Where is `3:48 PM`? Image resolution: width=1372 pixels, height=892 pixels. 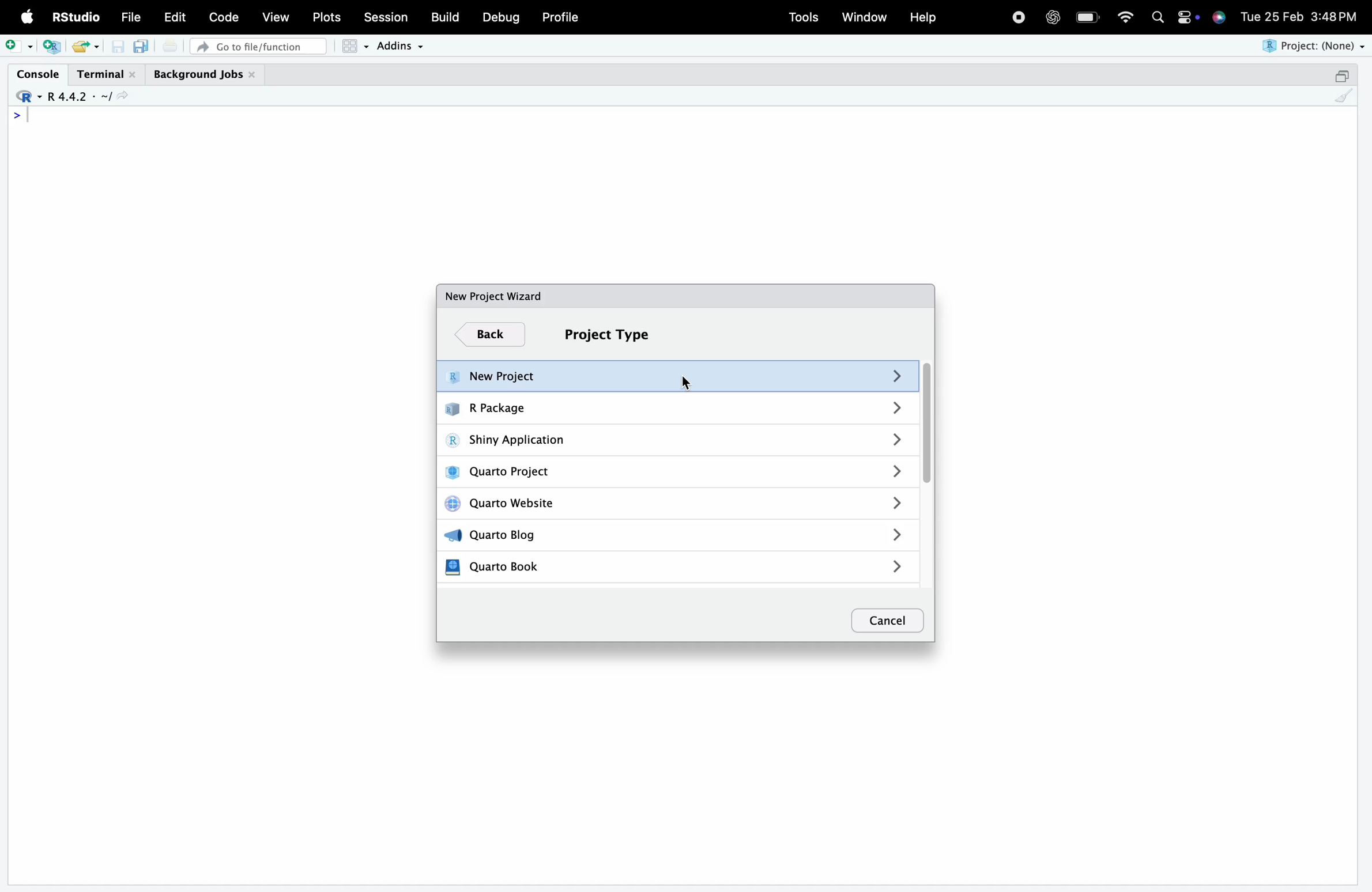
3:48 PM is located at coordinates (1335, 15).